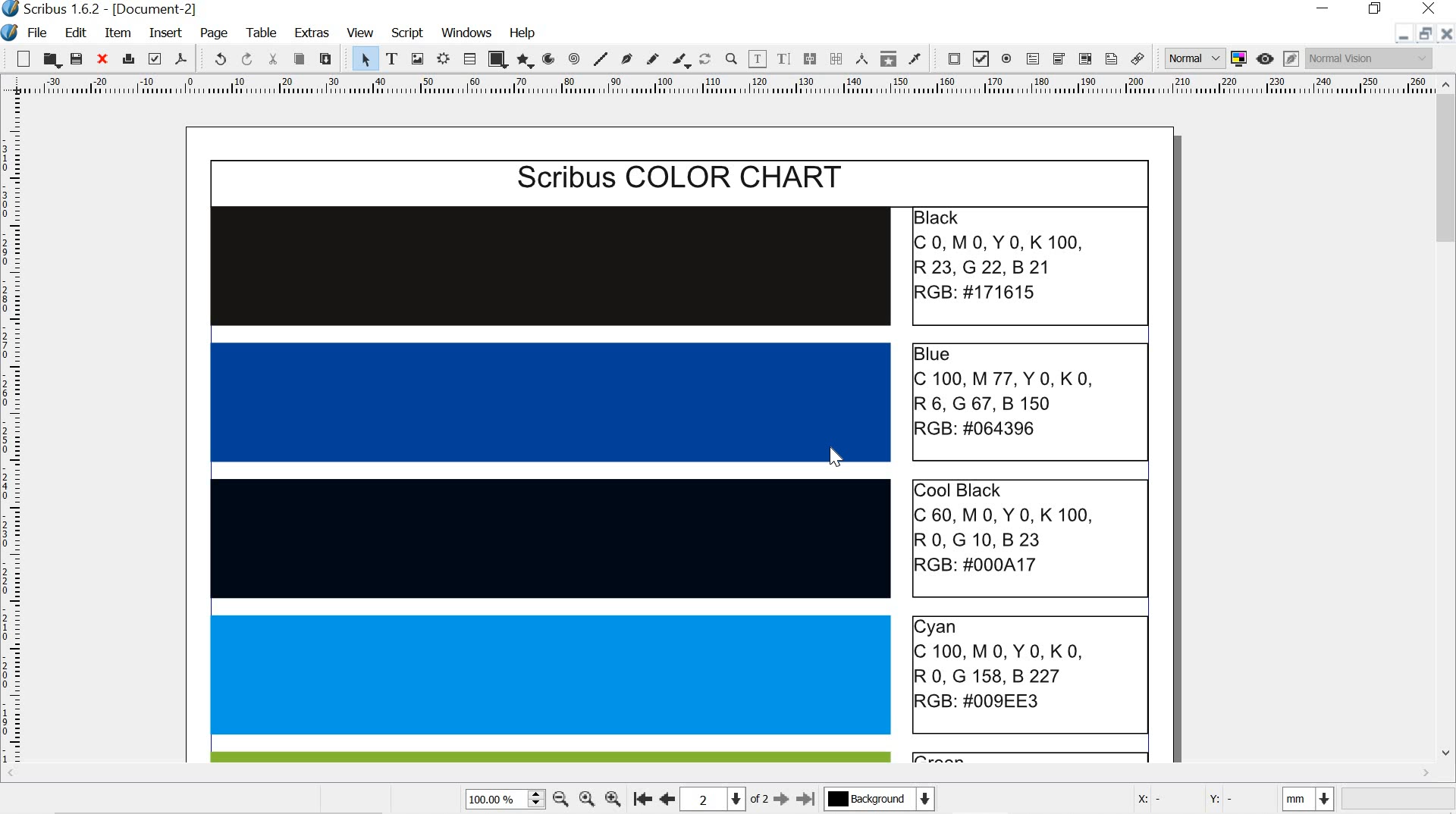 This screenshot has width=1456, height=814. I want to click on close, so click(101, 60).